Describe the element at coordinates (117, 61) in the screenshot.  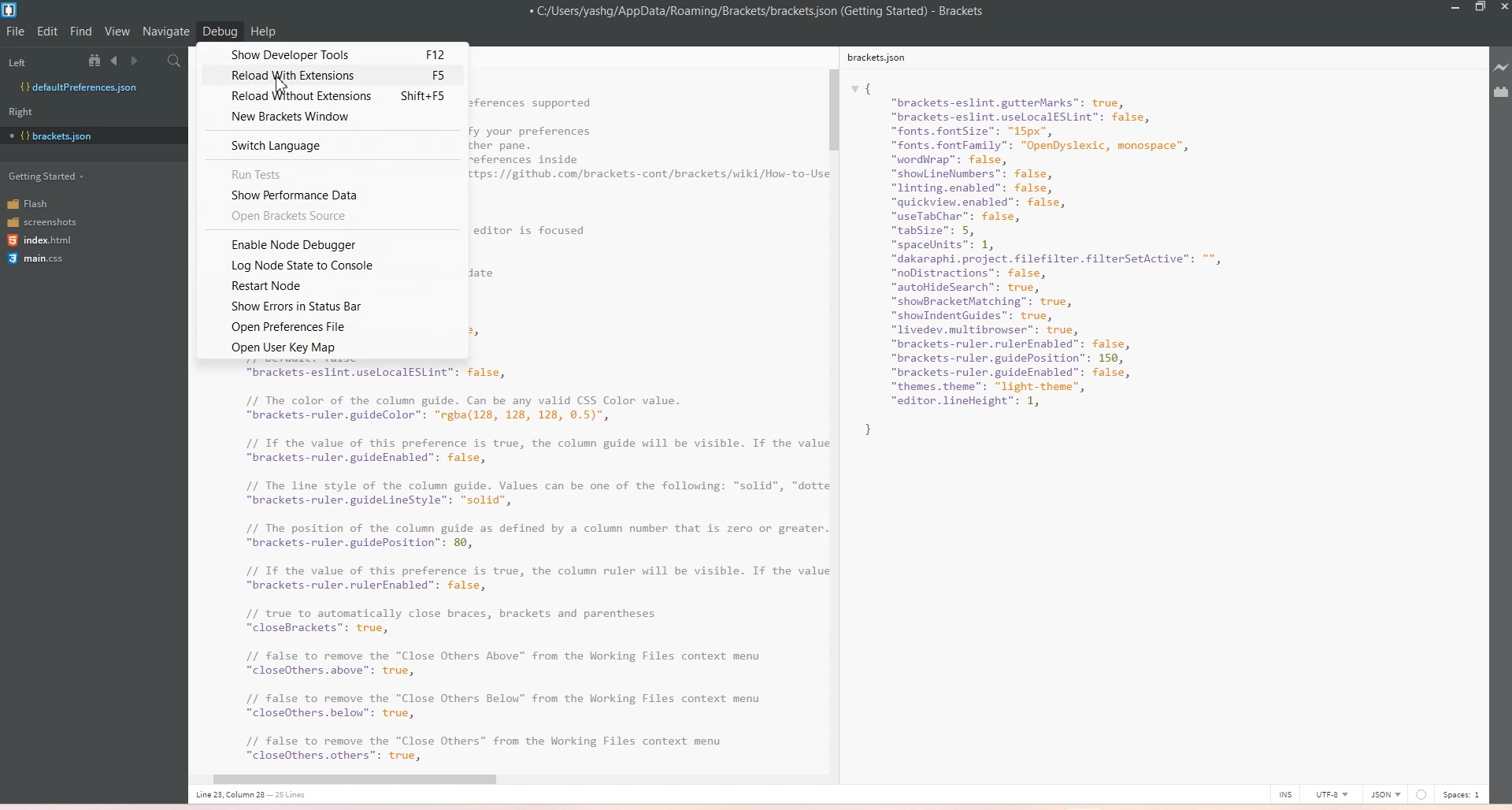
I see `Navigate Backwards` at that location.